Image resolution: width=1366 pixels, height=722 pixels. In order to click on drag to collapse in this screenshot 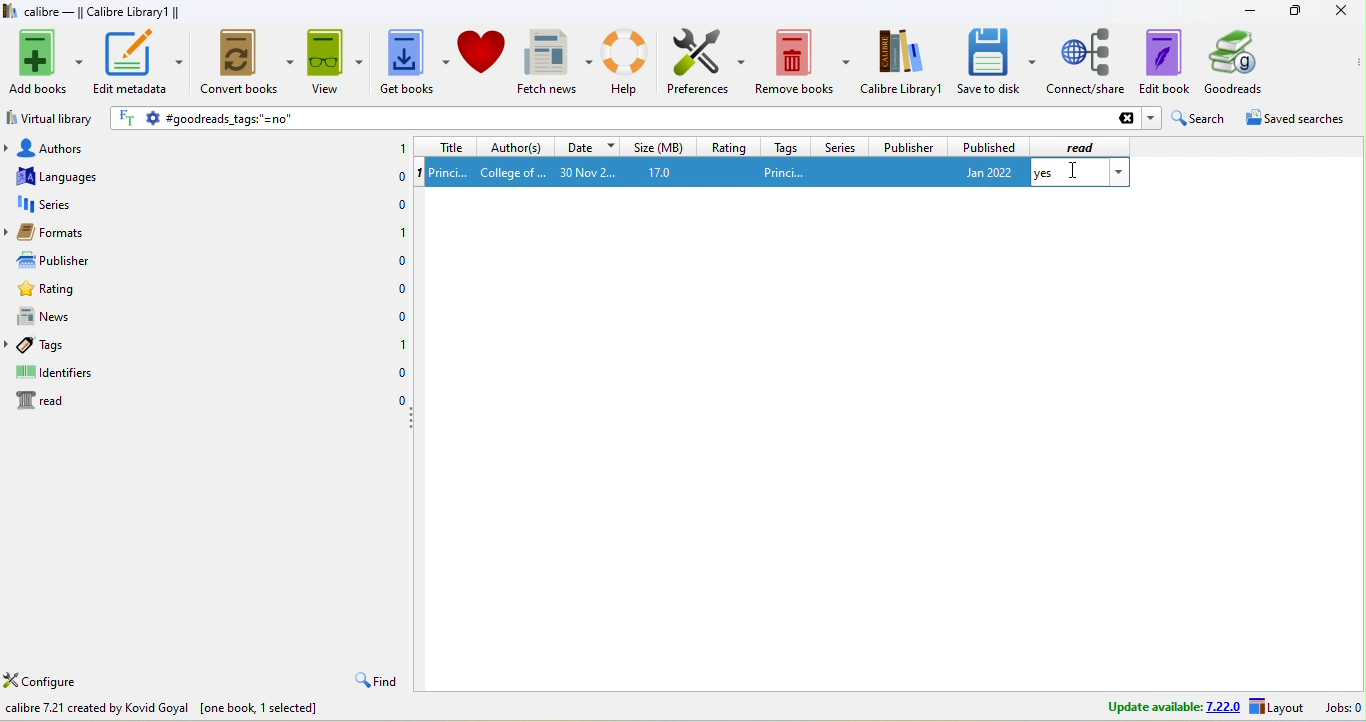, I will do `click(413, 419)`.